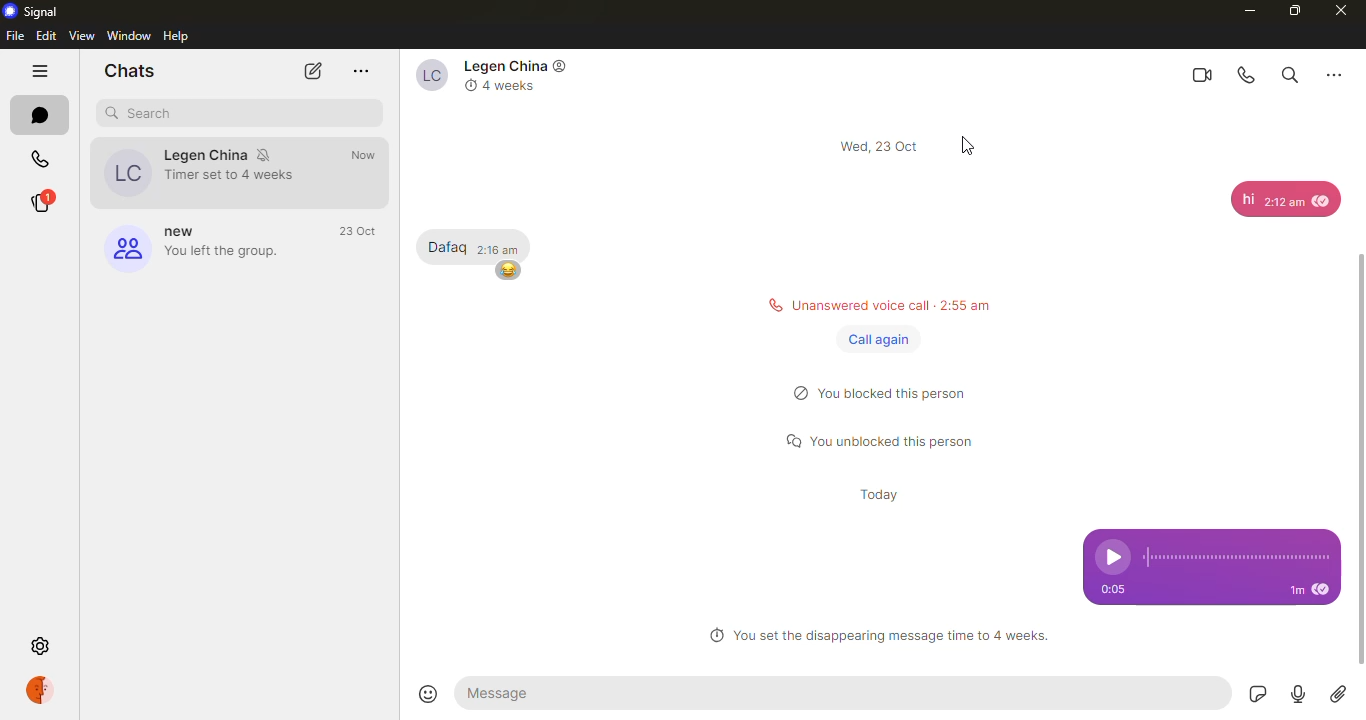 Image resolution: width=1366 pixels, height=720 pixels. Describe the element at coordinates (30, 11) in the screenshot. I see `signal` at that location.